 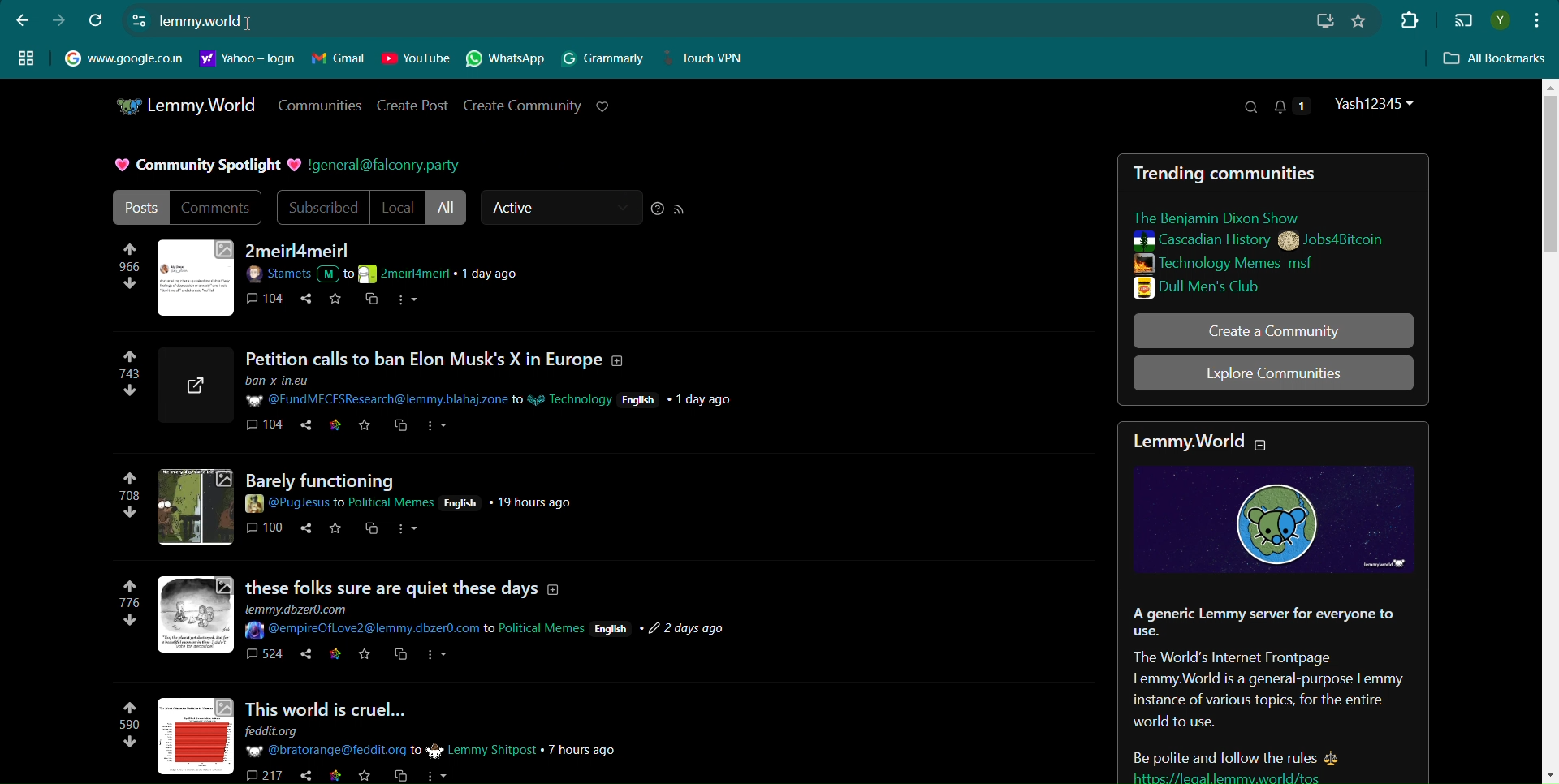 What do you see at coordinates (197, 614) in the screenshot?
I see `image` at bounding box center [197, 614].